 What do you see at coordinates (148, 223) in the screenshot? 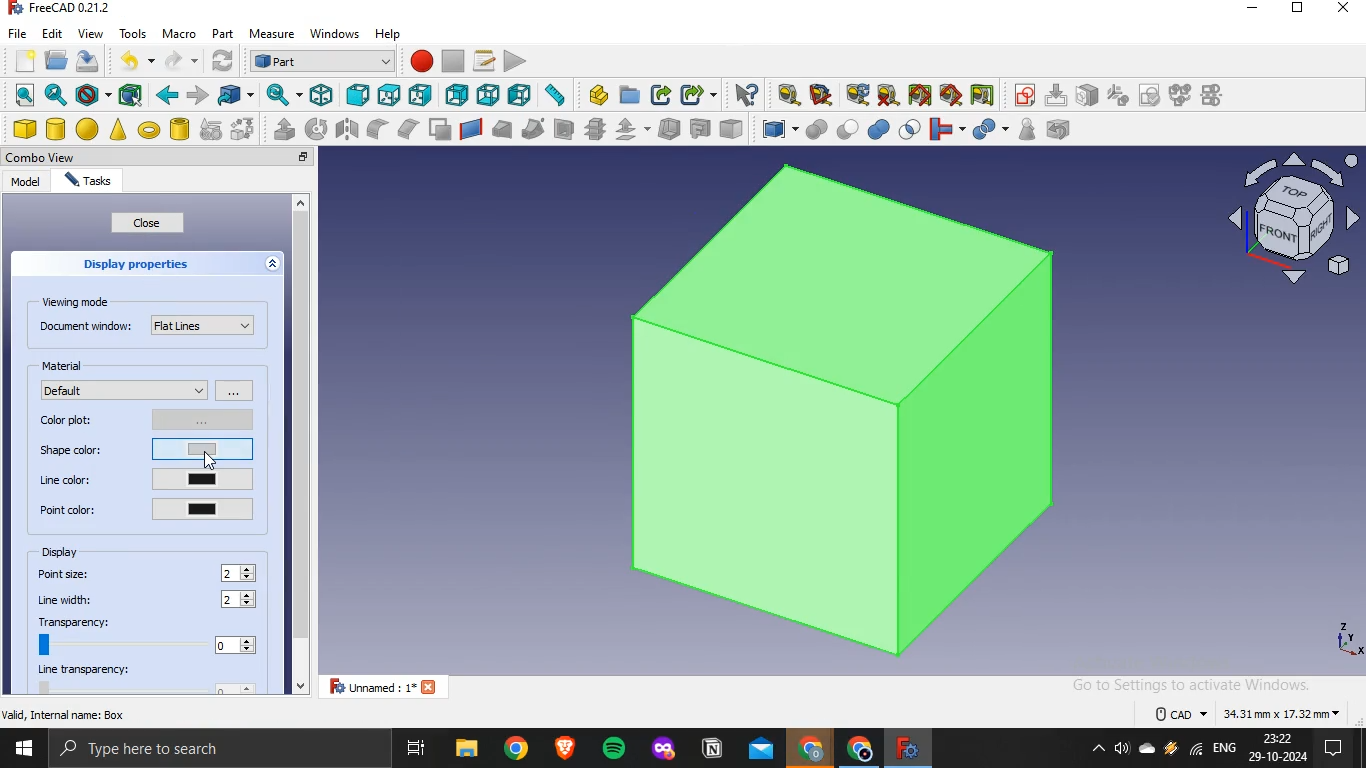
I see `close` at bounding box center [148, 223].